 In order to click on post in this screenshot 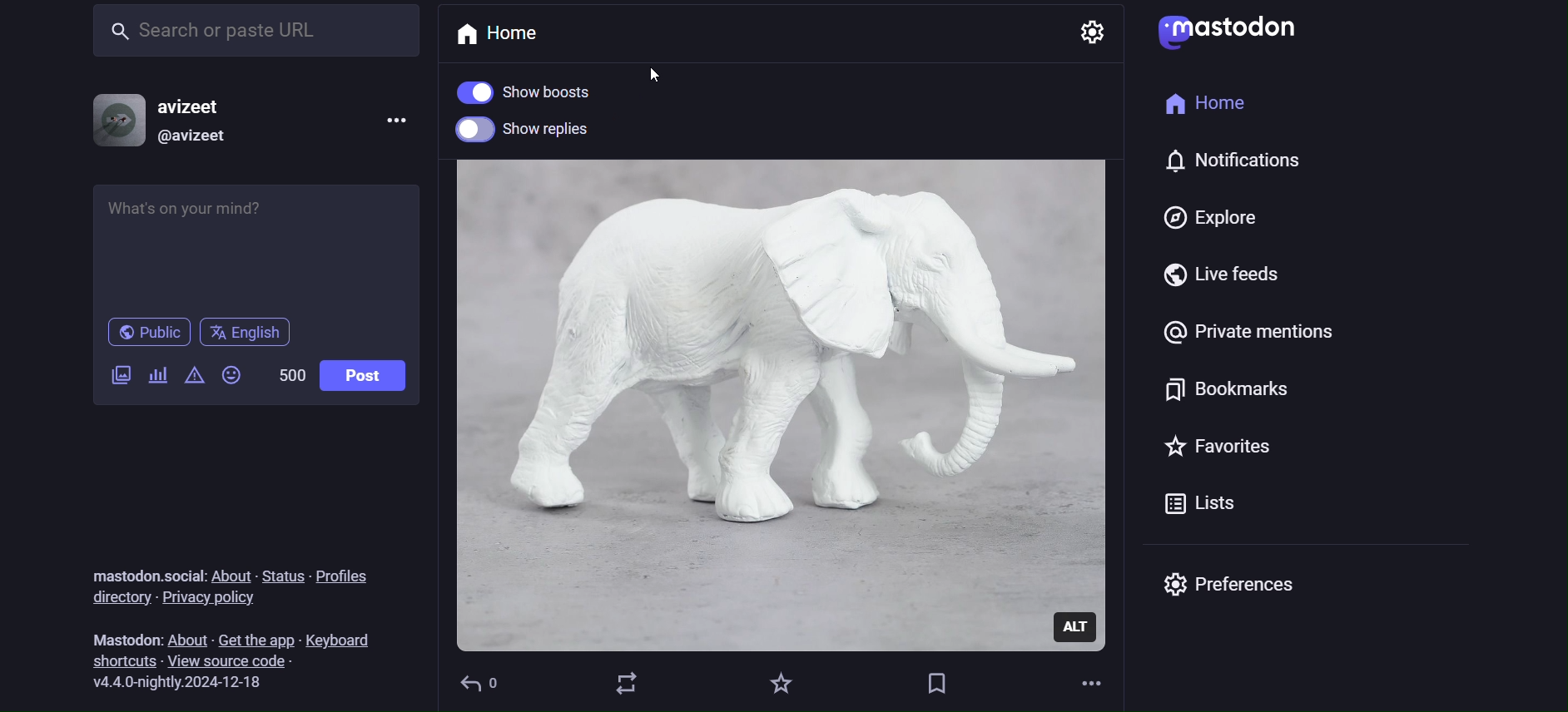, I will do `click(362, 378)`.